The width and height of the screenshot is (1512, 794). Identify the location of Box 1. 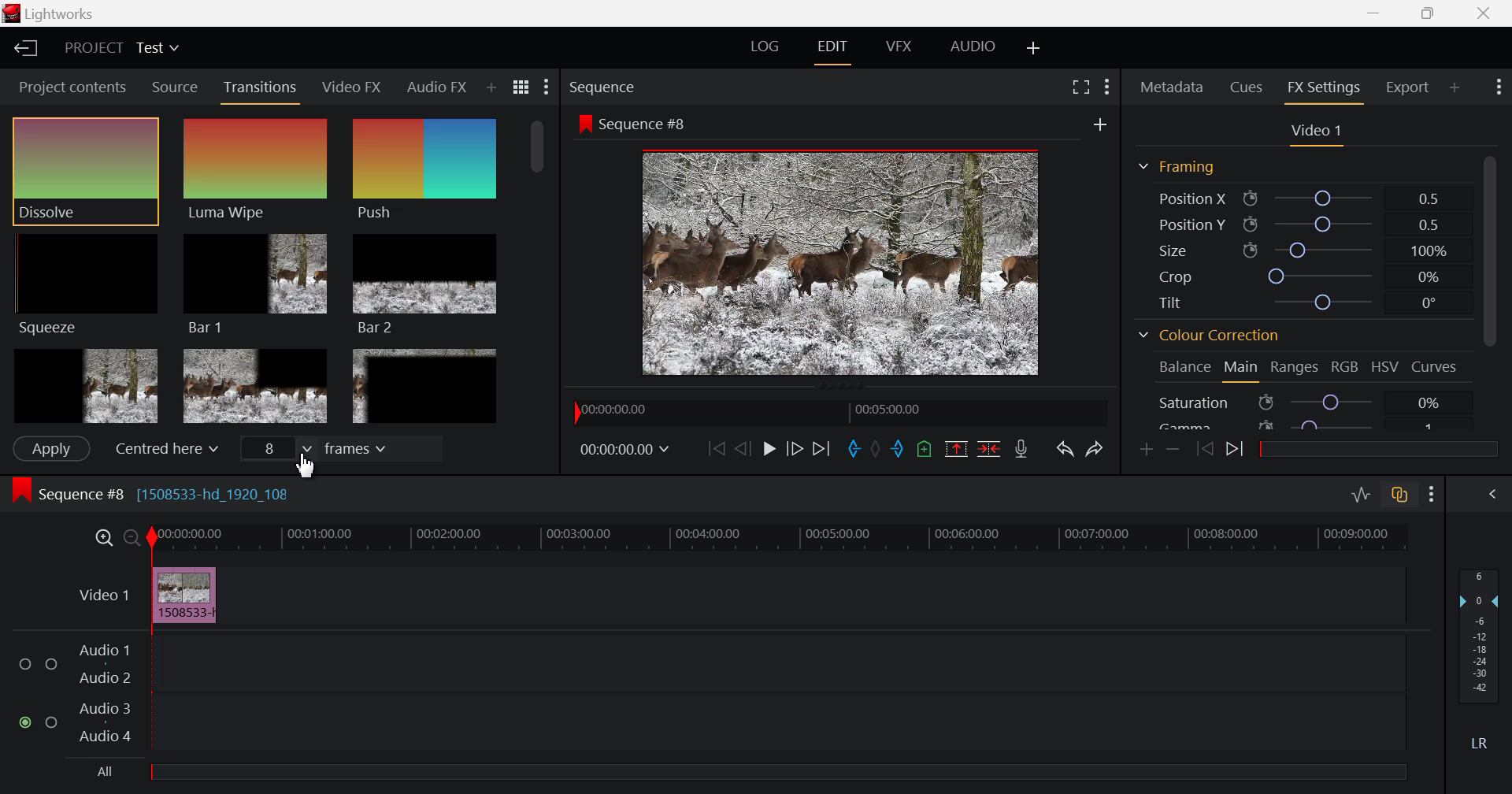
(86, 384).